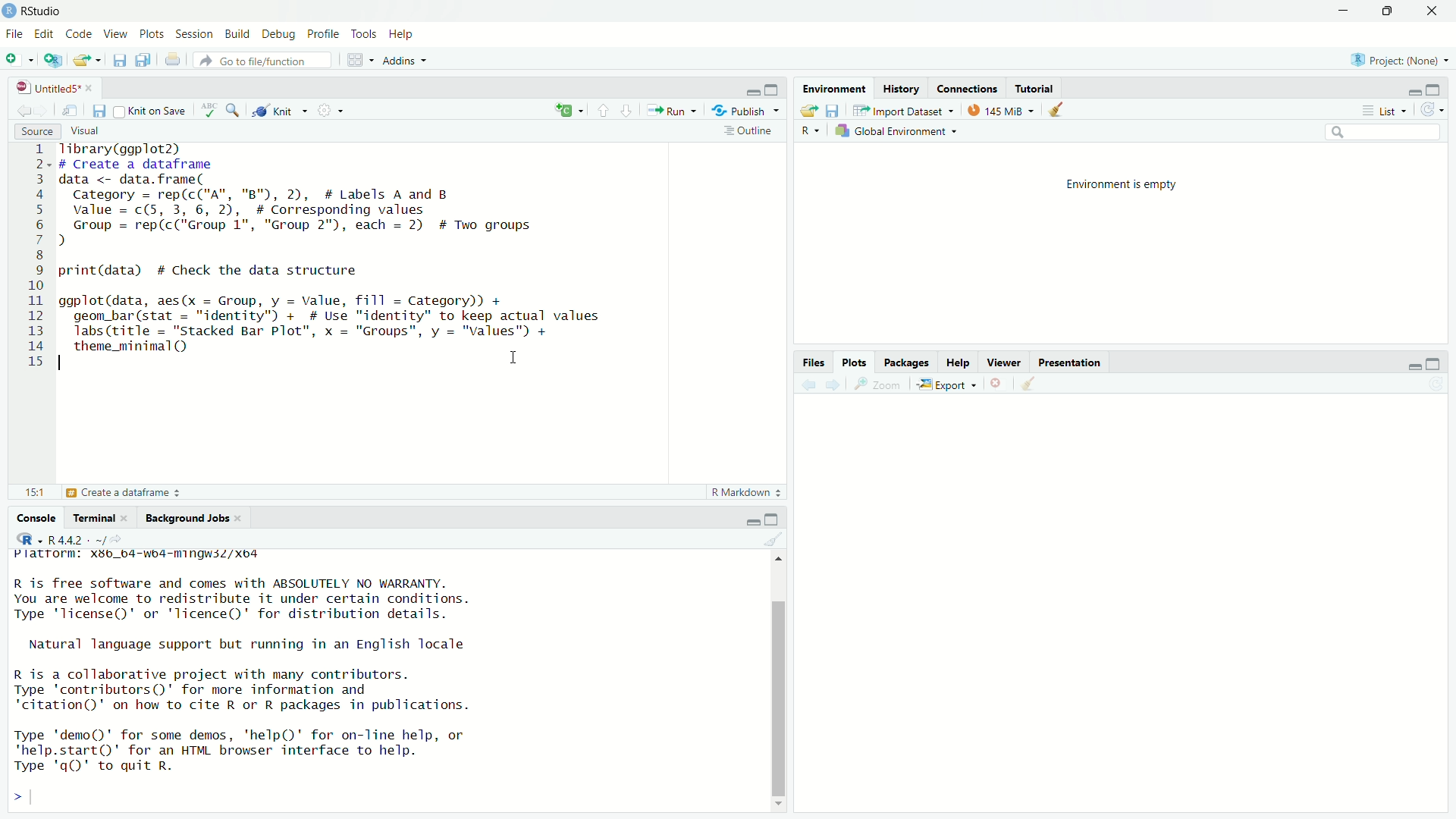 This screenshot has width=1456, height=819. Describe the element at coordinates (745, 108) in the screenshot. I see `Publish` at that location.